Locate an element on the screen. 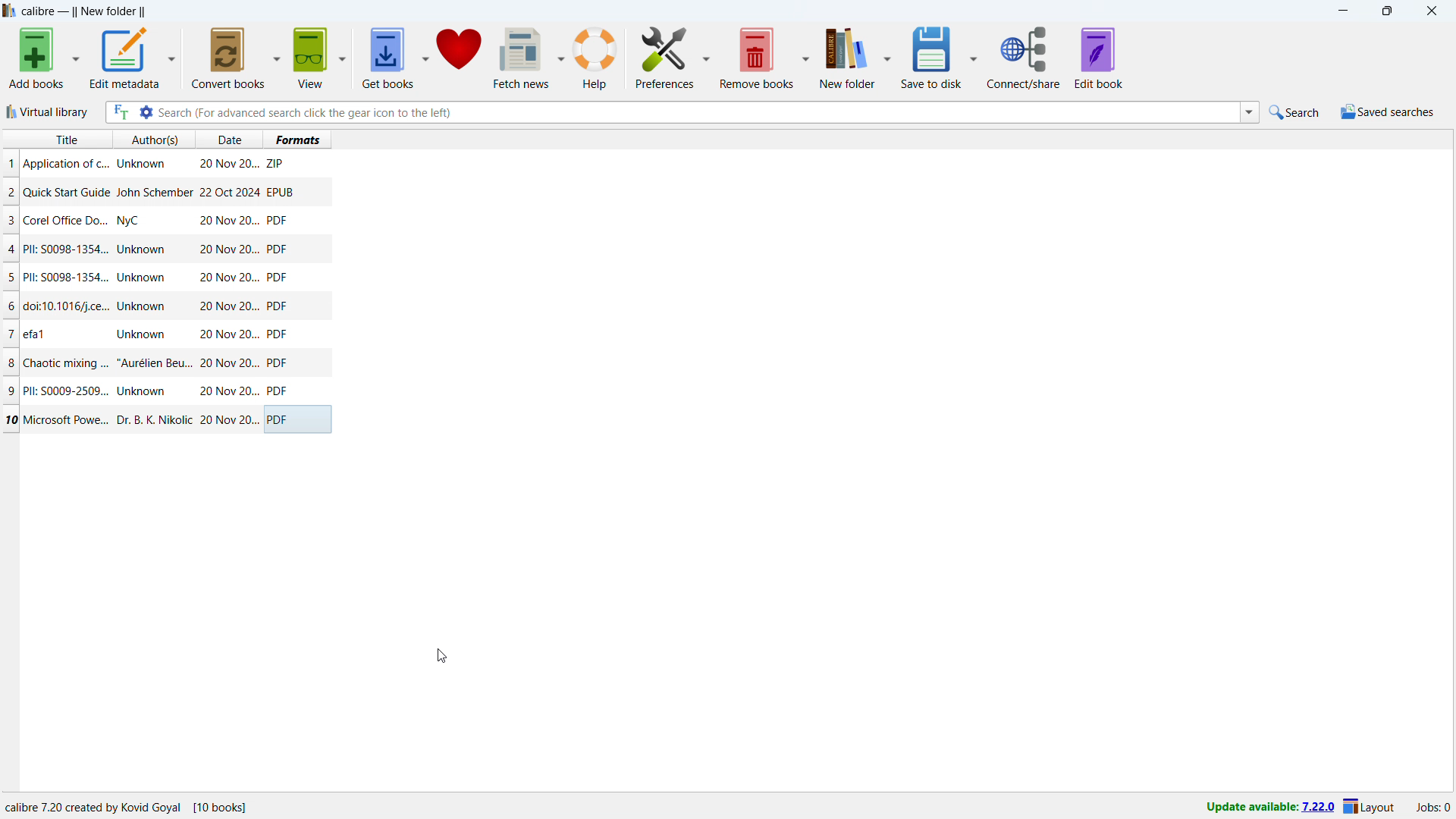  20 Nov 20... is located at coordinates (228, 420).